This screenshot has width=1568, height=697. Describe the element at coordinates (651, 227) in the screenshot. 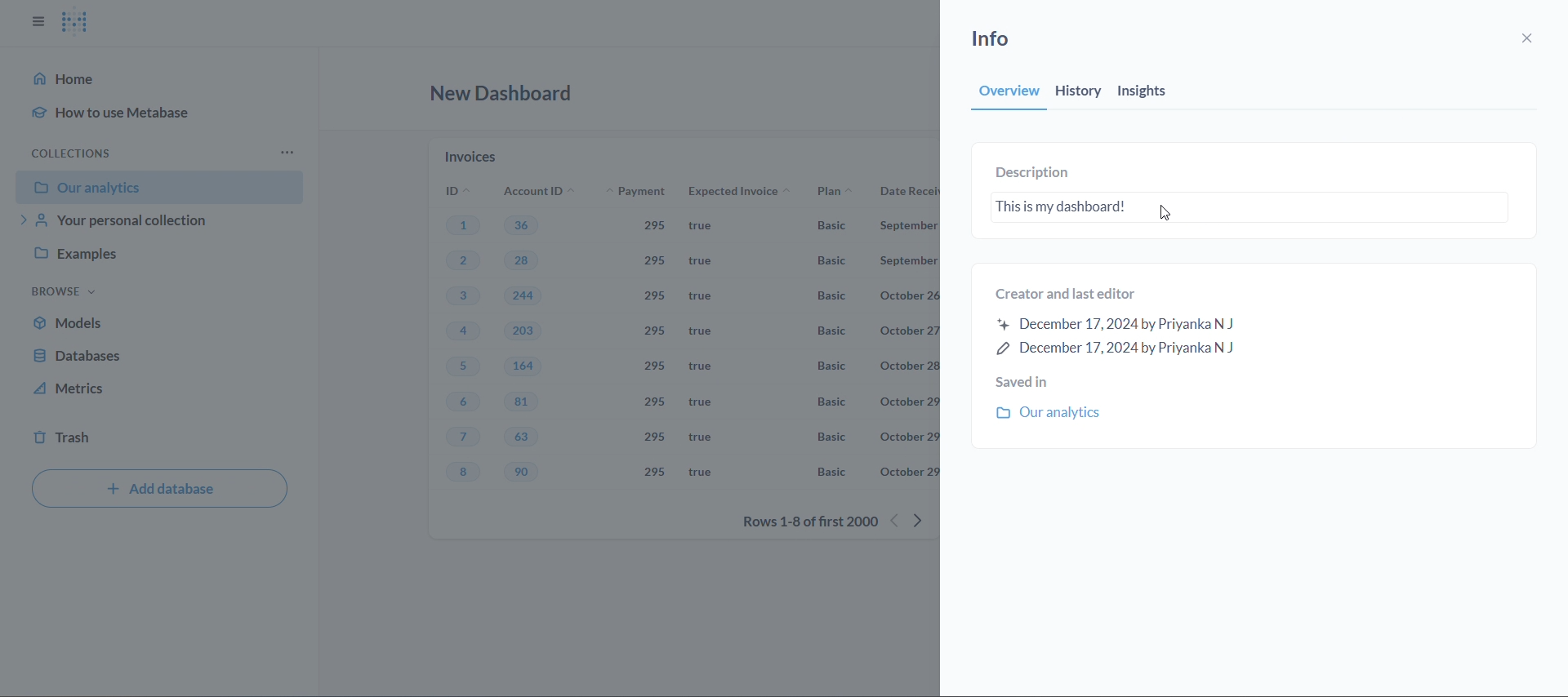

I see `295` at that location.